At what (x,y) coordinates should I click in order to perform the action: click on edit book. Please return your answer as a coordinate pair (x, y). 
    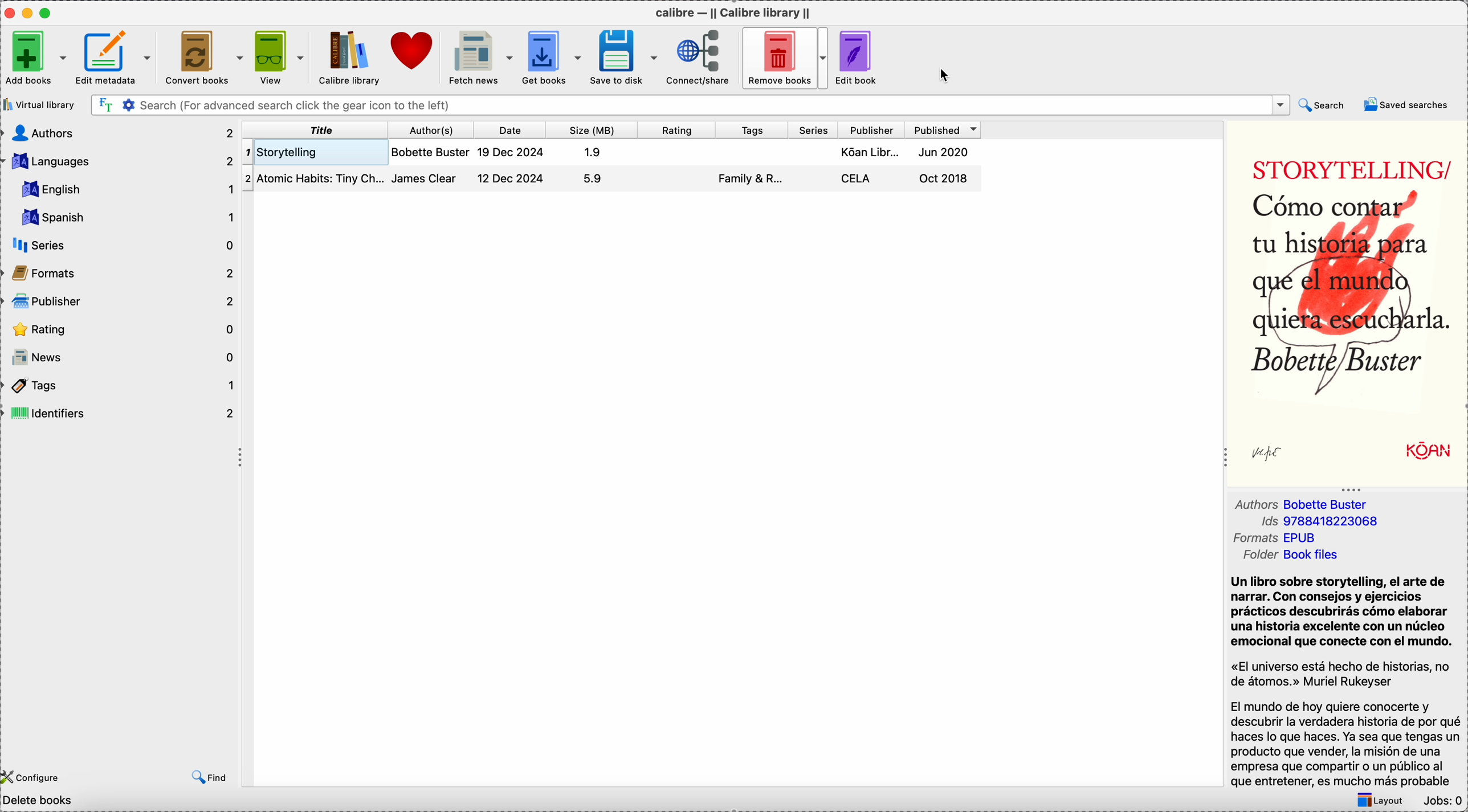
    Looking at the image, I should click on (861, 58).